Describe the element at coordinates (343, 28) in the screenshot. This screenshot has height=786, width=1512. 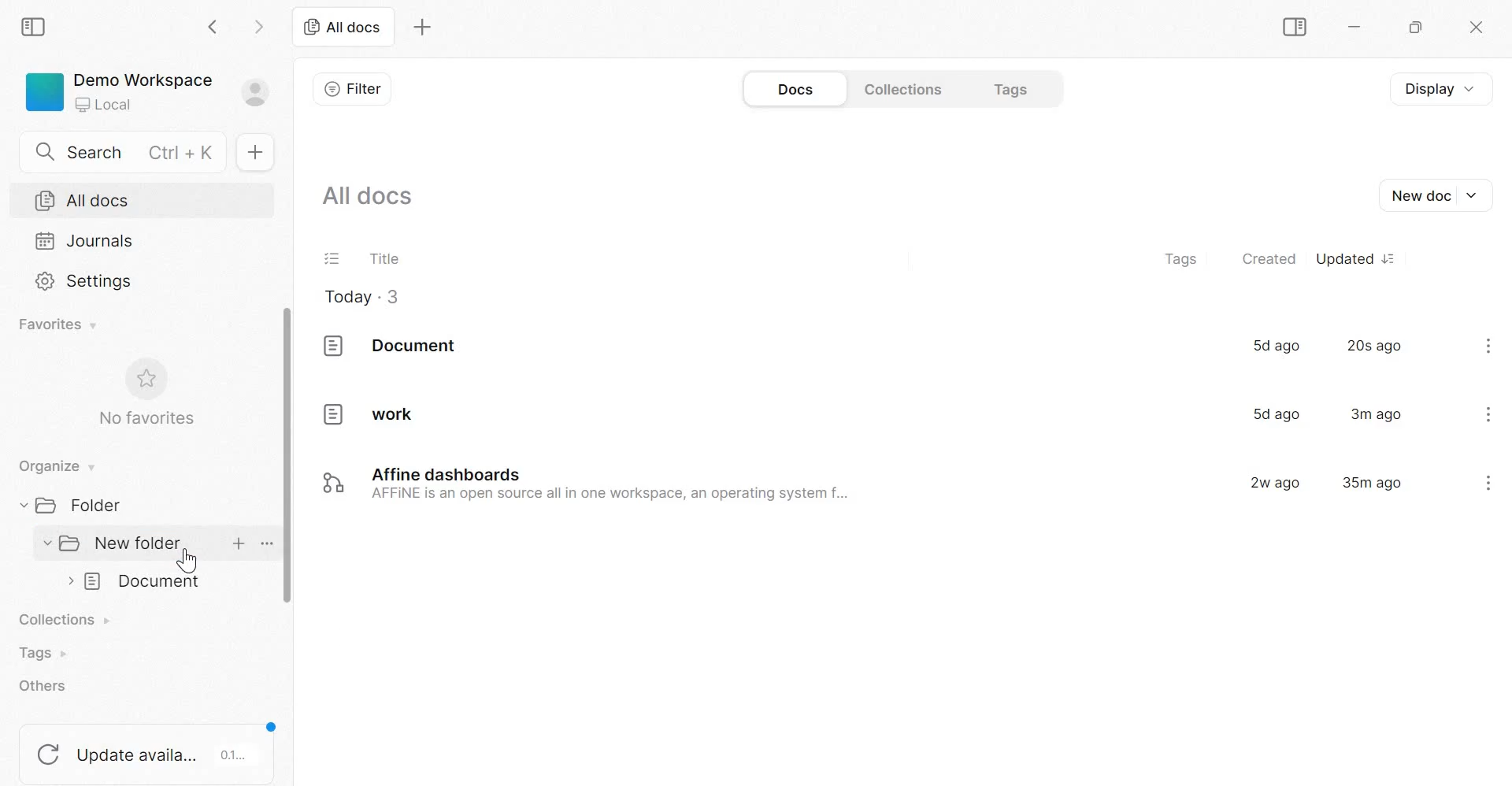
I see `All docs` at that location.